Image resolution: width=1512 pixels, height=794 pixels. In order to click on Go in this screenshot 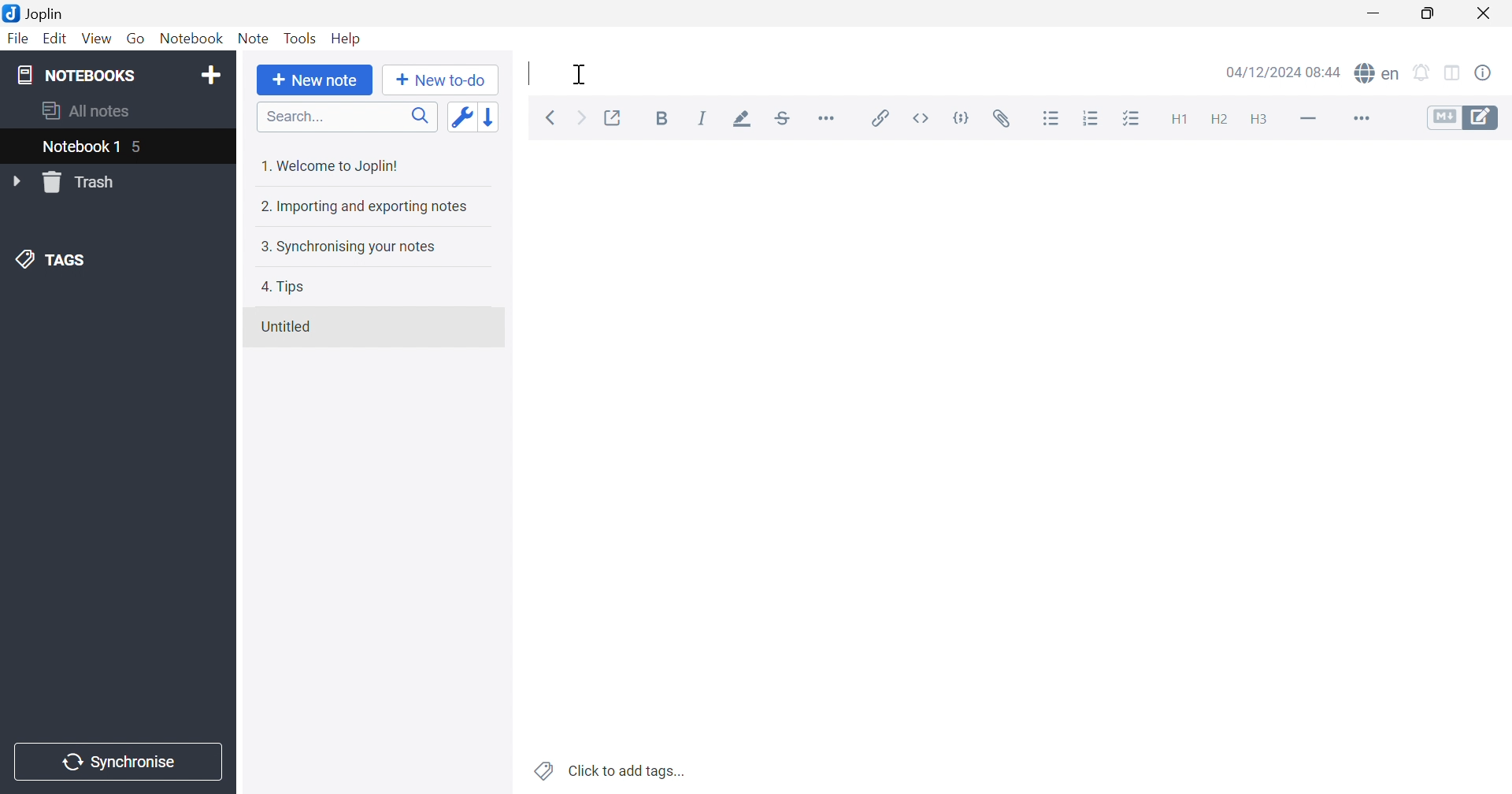, I will do `click(138, 39)`.